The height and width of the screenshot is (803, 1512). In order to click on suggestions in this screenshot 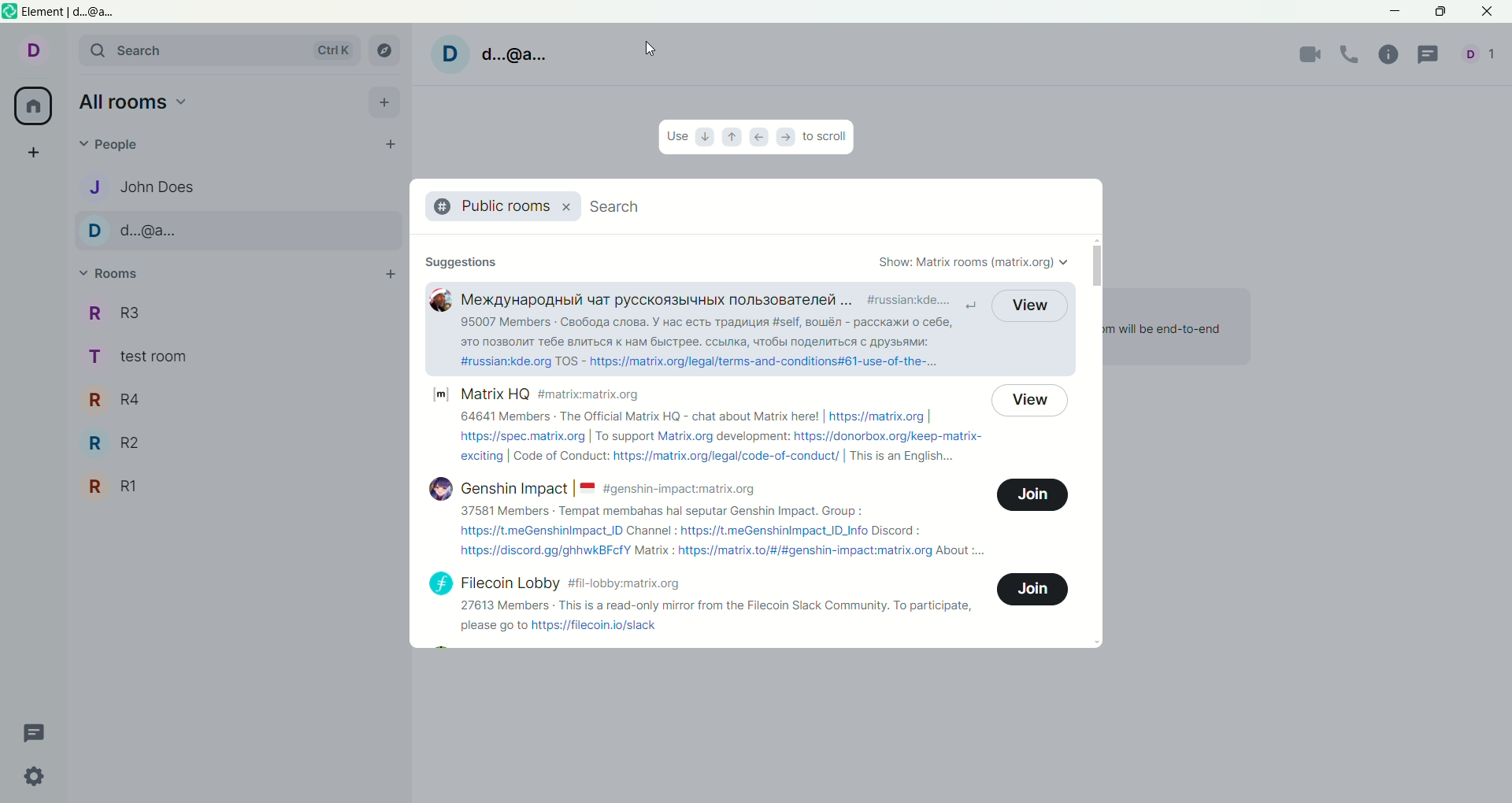, I will do `click(461, 261)`.